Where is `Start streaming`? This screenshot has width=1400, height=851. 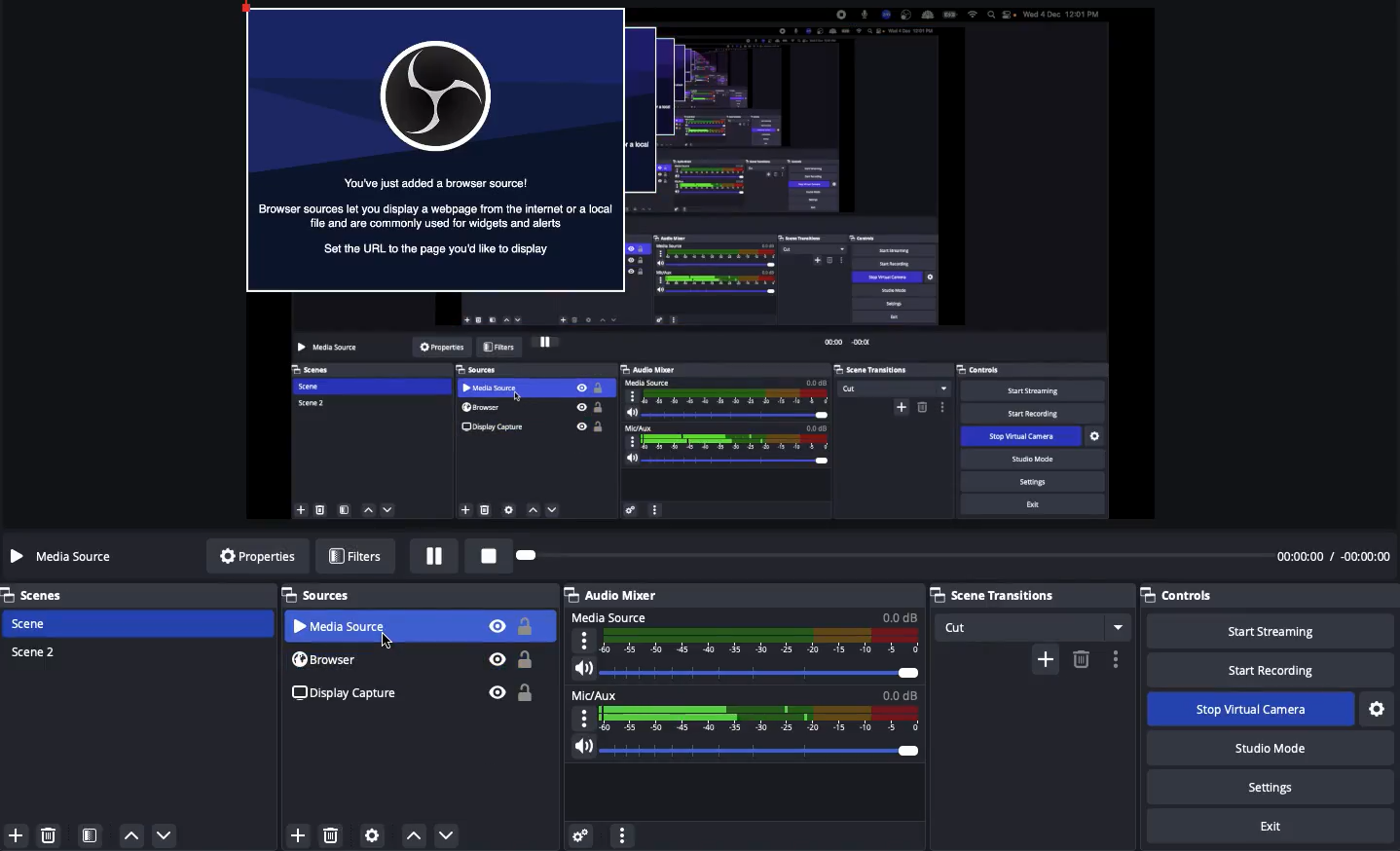
Start streaming is located at coordinates (1267, 632).